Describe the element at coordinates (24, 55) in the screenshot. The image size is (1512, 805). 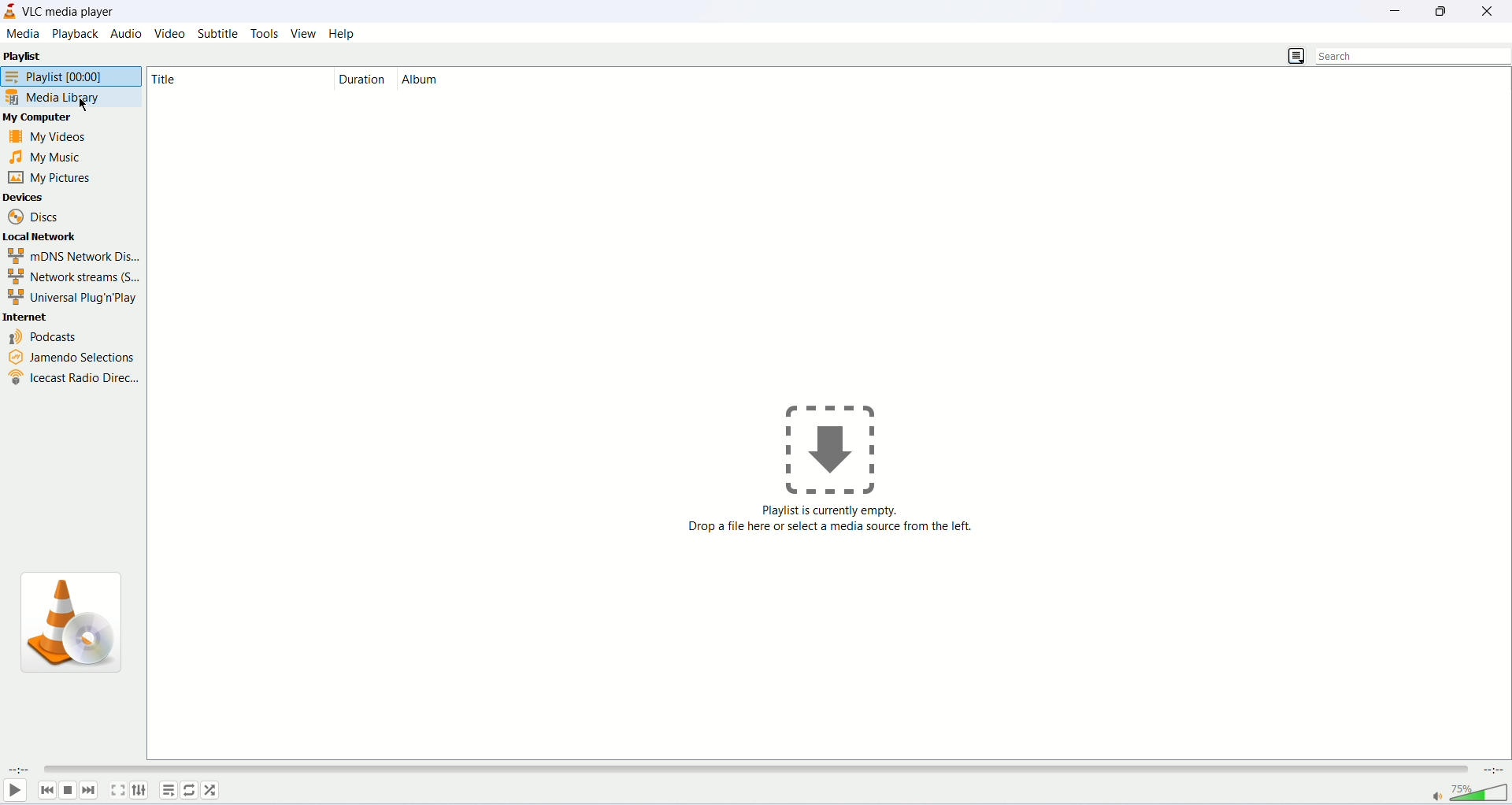
I see `playlist` at that location.